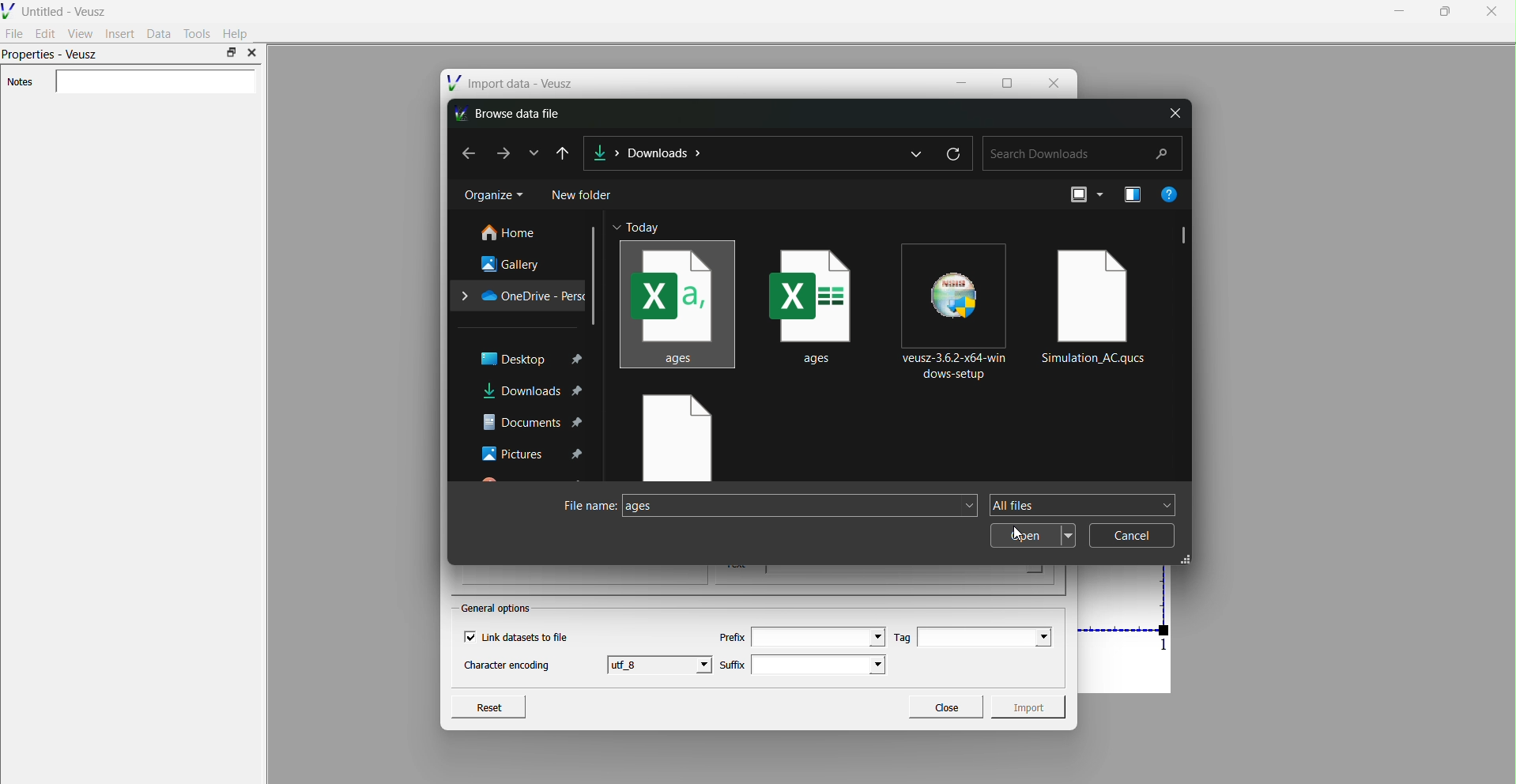 This screenshot has width=1516, height=784. What do you see at coordinates (512, 113) in the screenshot?
I see `Browse data file` at bounding box center [512, 113].